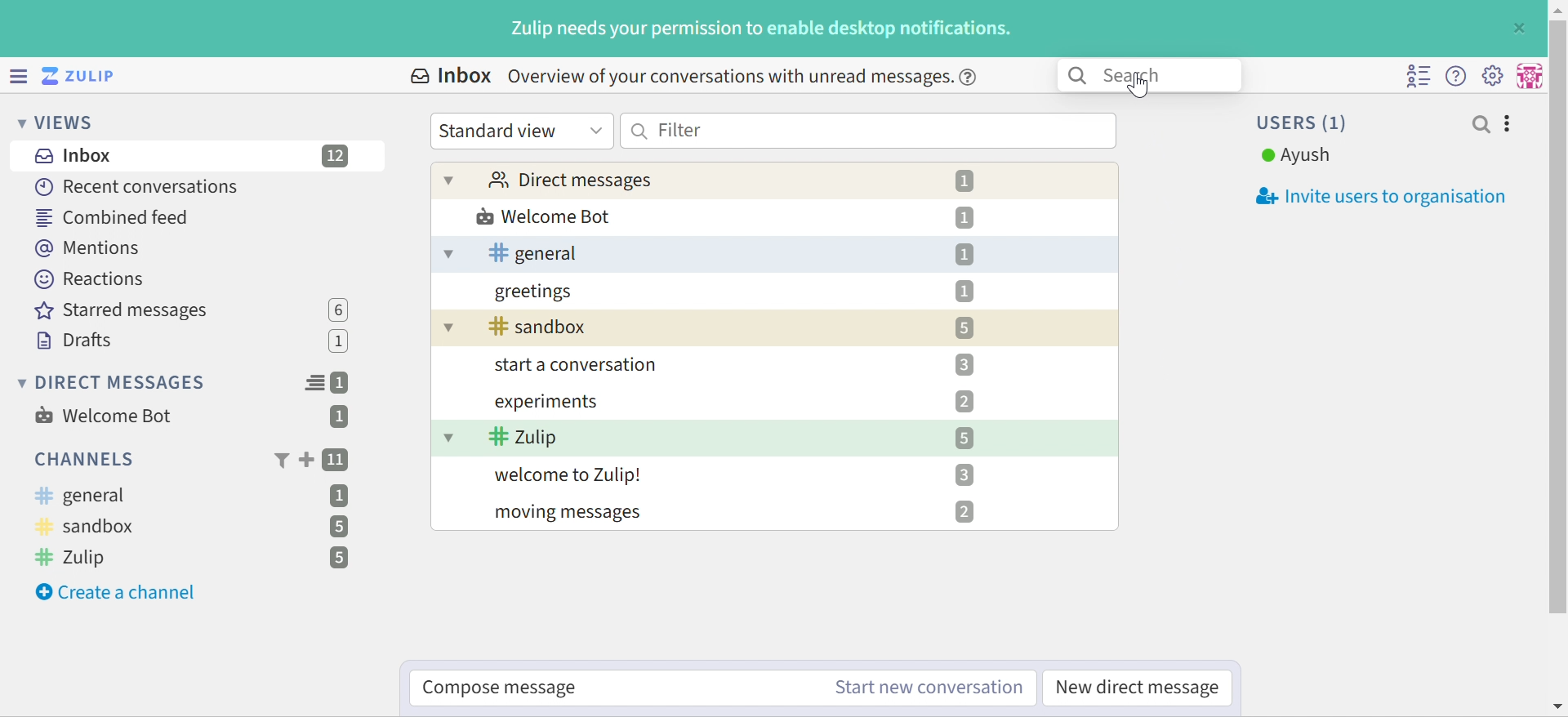 Image resolution: width=1568 pixels, height=717 pixels. Describe the element at coordinates (963, 474) in the screenshot. I see `3` at that location.